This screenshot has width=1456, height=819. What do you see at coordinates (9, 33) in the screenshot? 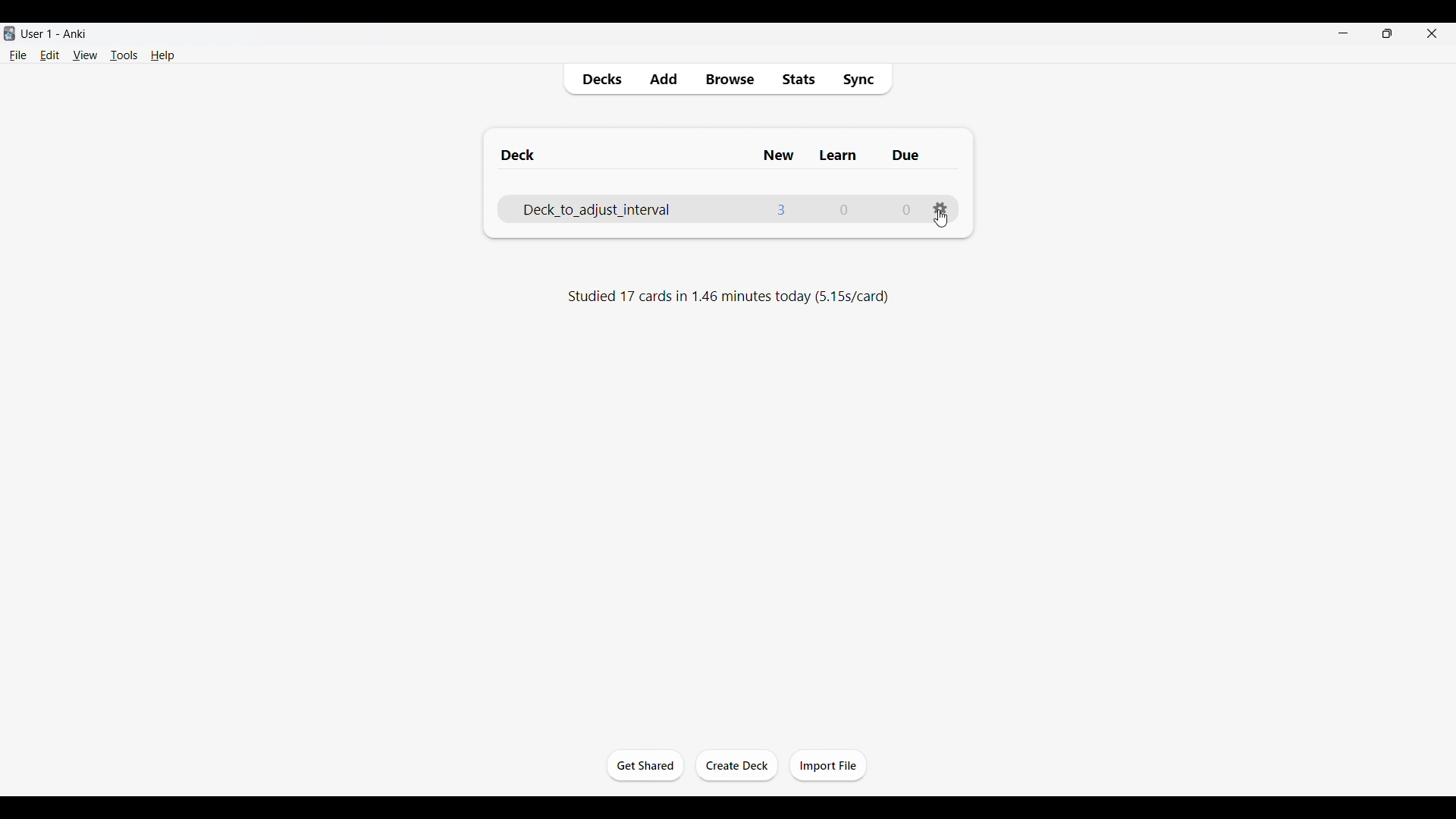
I see `Software logo` at bounding box center [9, 33].